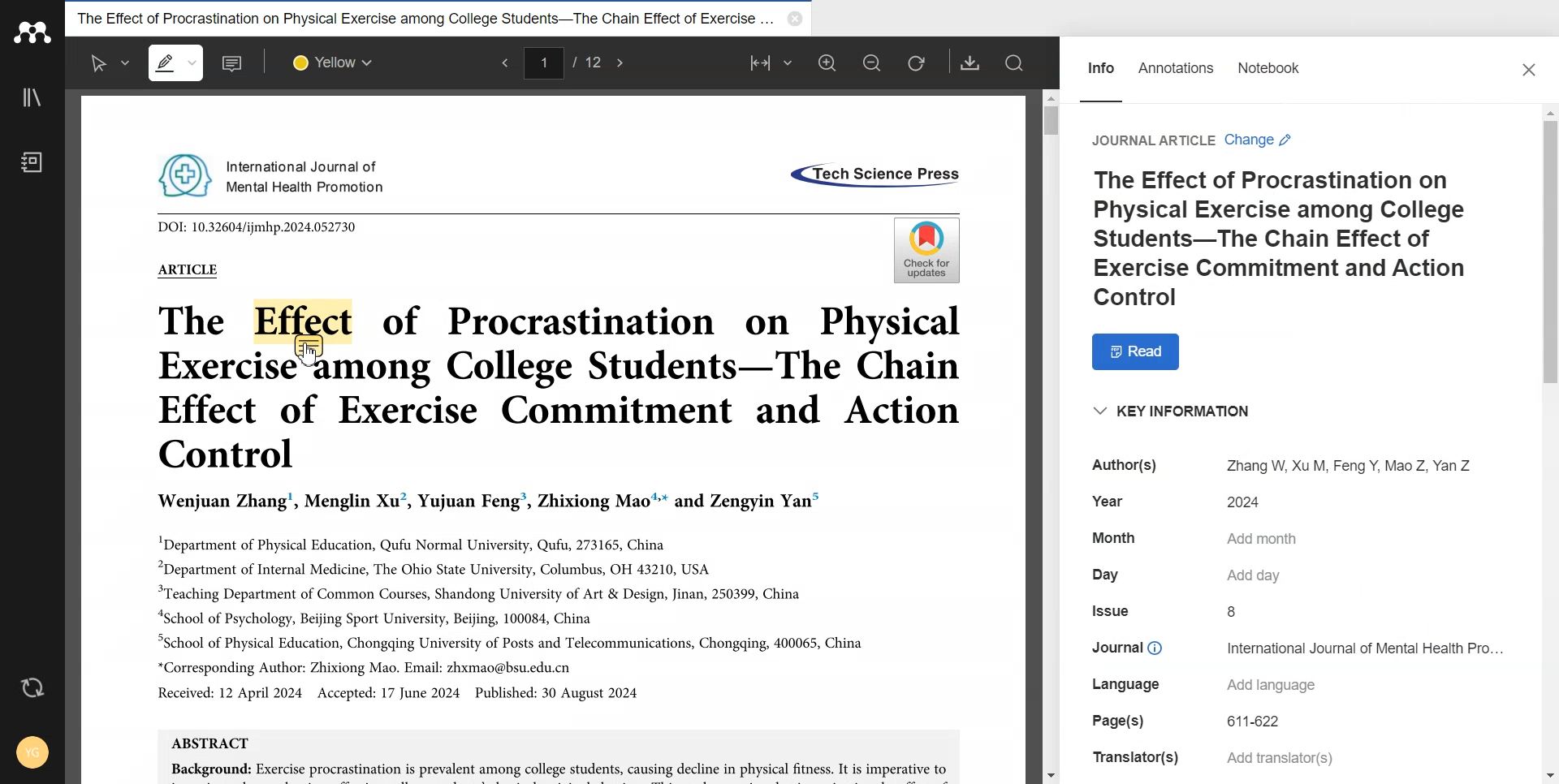 The width and height of the screenshot is (1559, 784). I want to click on Close, so click(792, 19).